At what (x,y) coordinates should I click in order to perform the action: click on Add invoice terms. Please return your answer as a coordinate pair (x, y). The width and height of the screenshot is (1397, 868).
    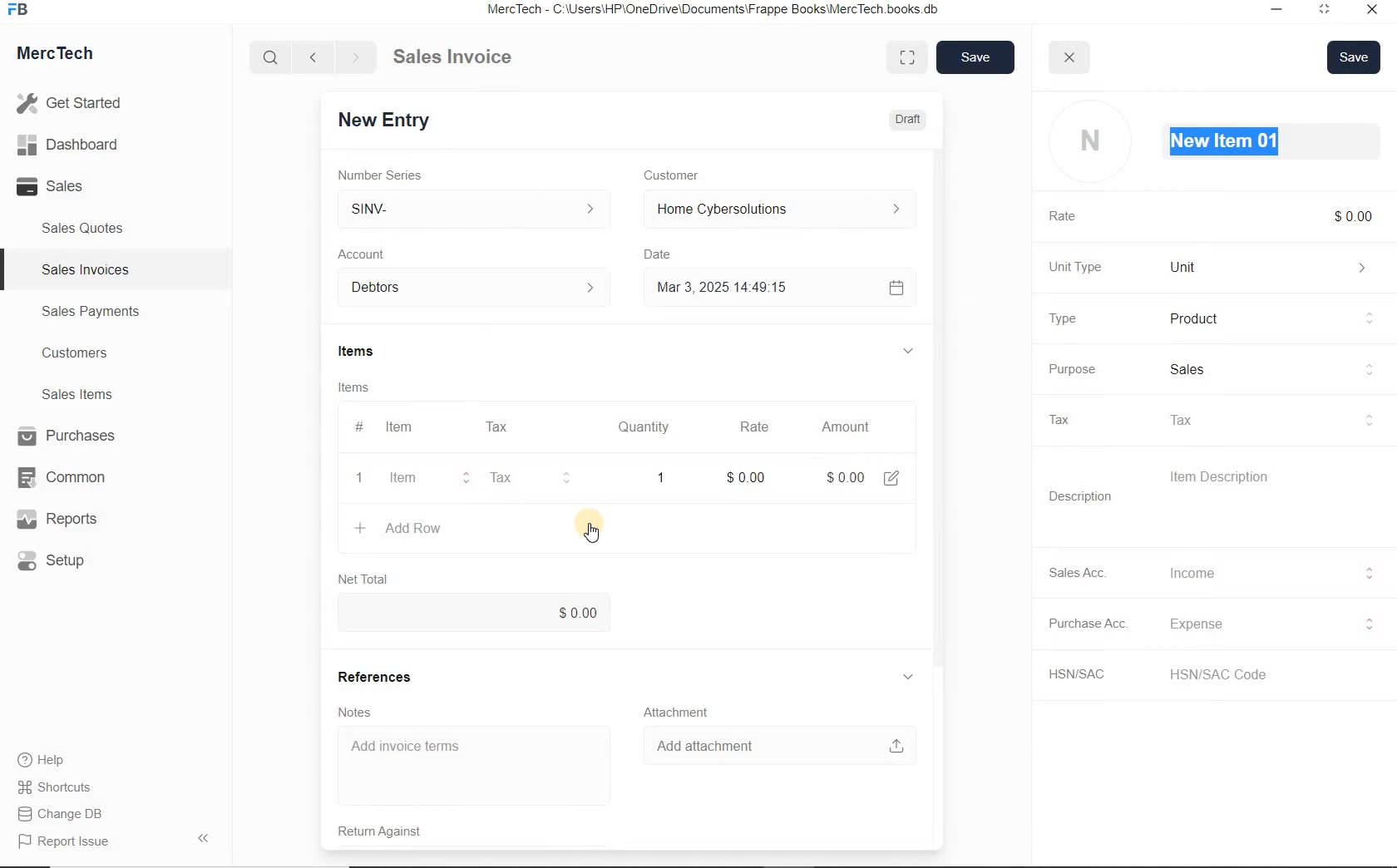
    Looking at the image, I should click on (474, 766).